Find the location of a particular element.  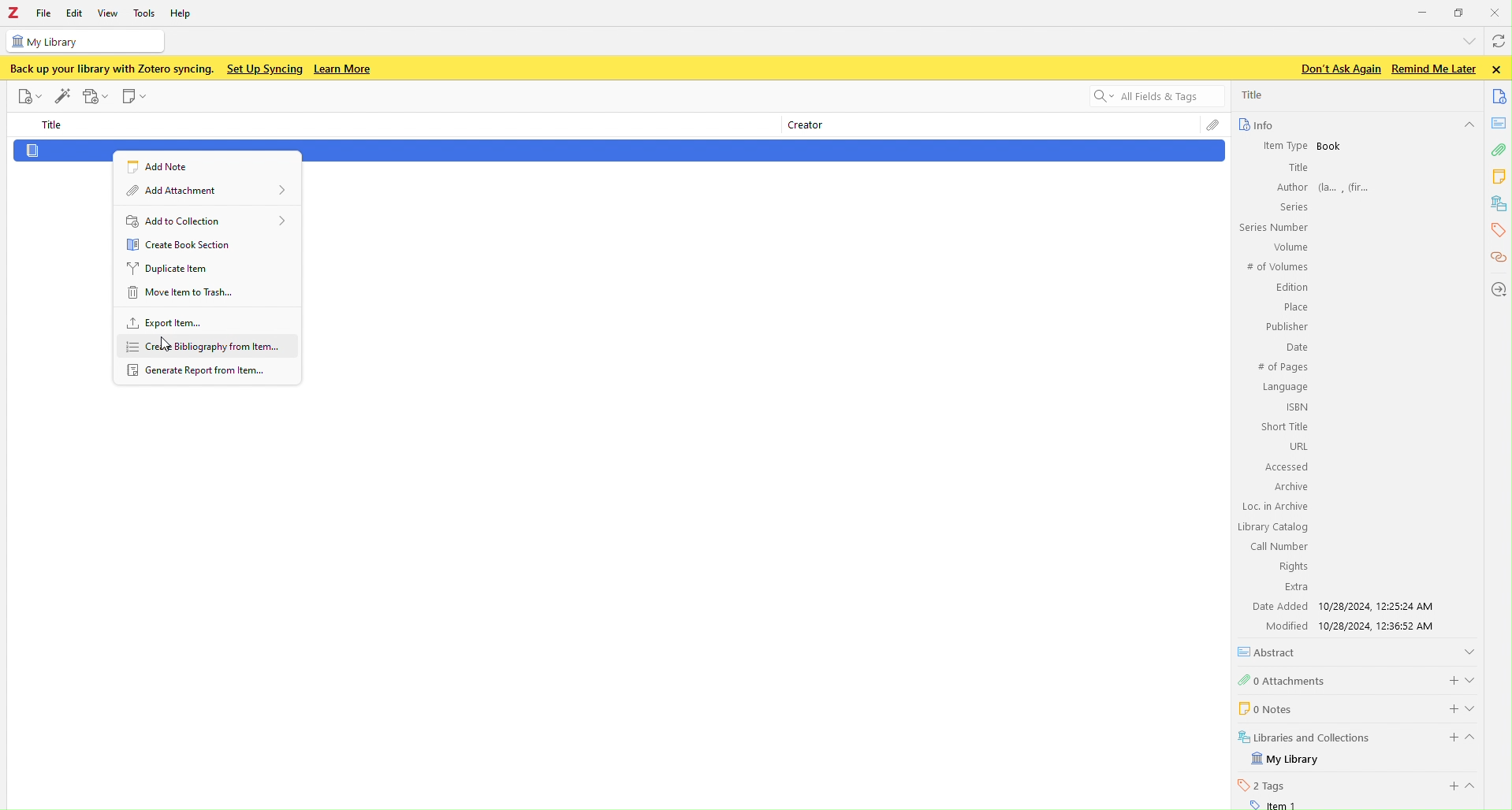

Series is located at coordinates (1291, 206).